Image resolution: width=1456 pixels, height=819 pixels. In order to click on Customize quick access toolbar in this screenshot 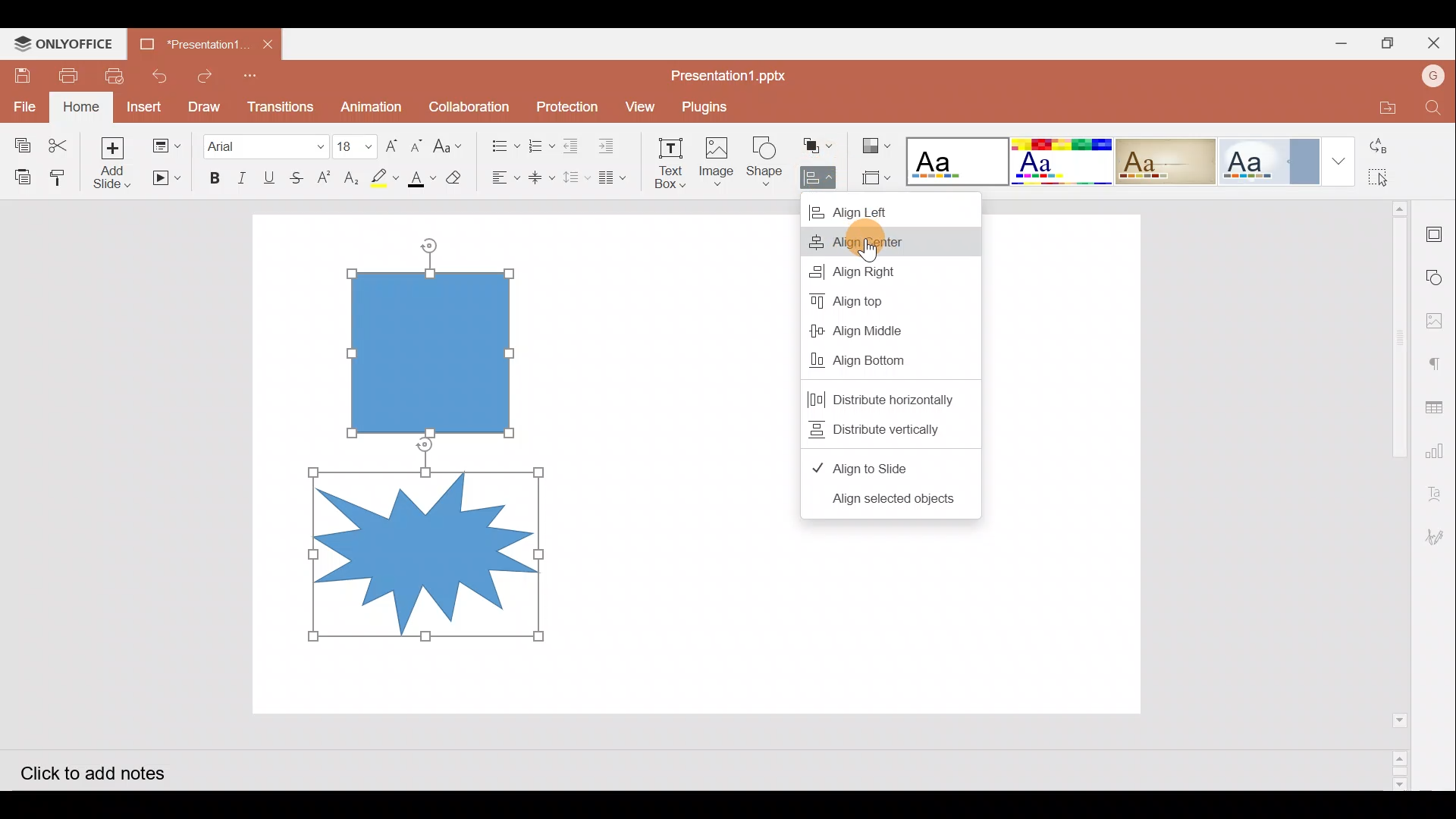, I will do `click(251, 74)`.